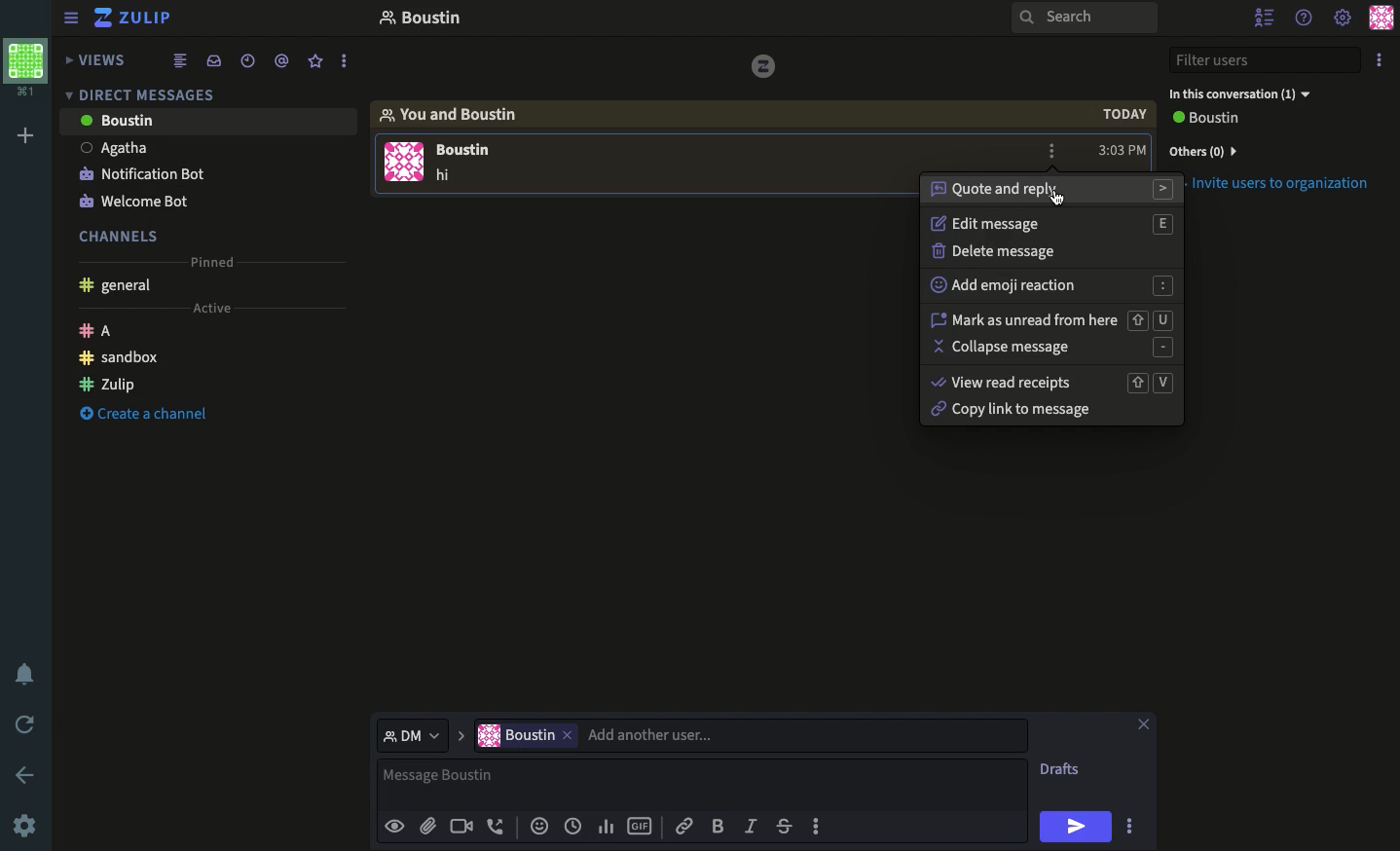 The width and height of the screenshot is (1400, 851). What do you see at coordinates (1268, 61) in the screenshot?
I see `Filter users` at bounding box center [1268, 61].